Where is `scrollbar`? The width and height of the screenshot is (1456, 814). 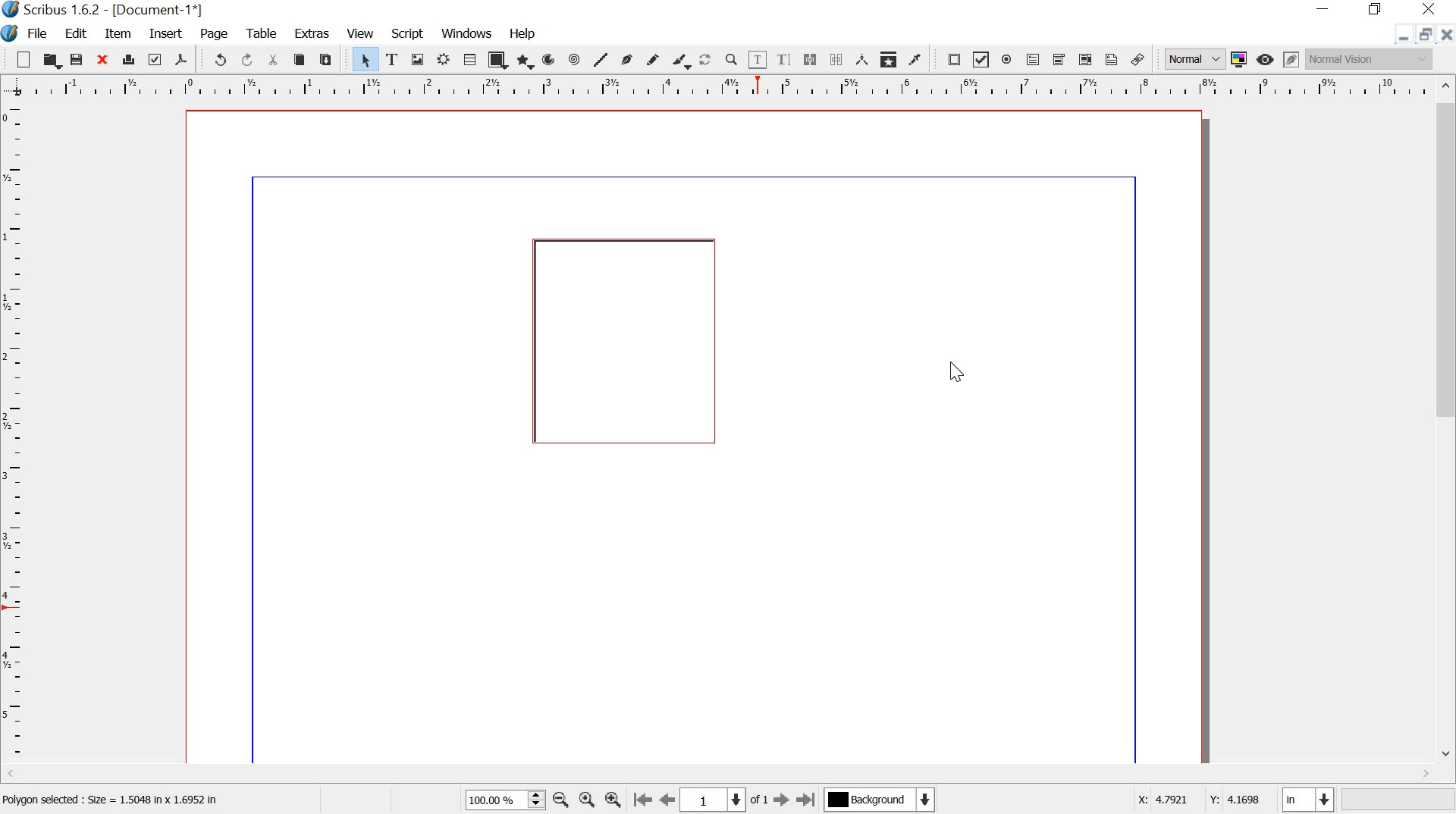
scrollbar is located at coordinates (720, 775).